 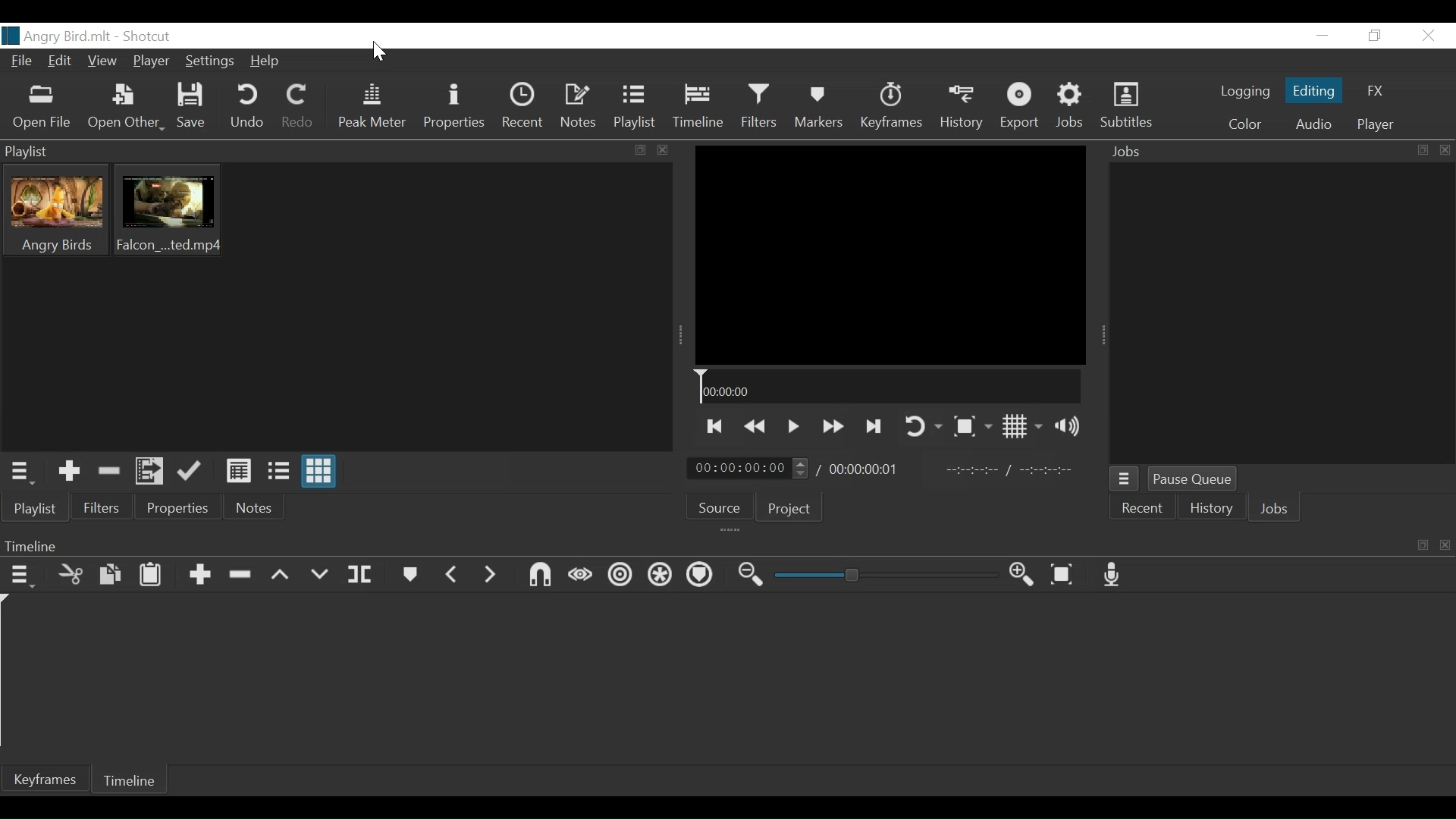 I want to click on Cut, so click(x=71, y=575).